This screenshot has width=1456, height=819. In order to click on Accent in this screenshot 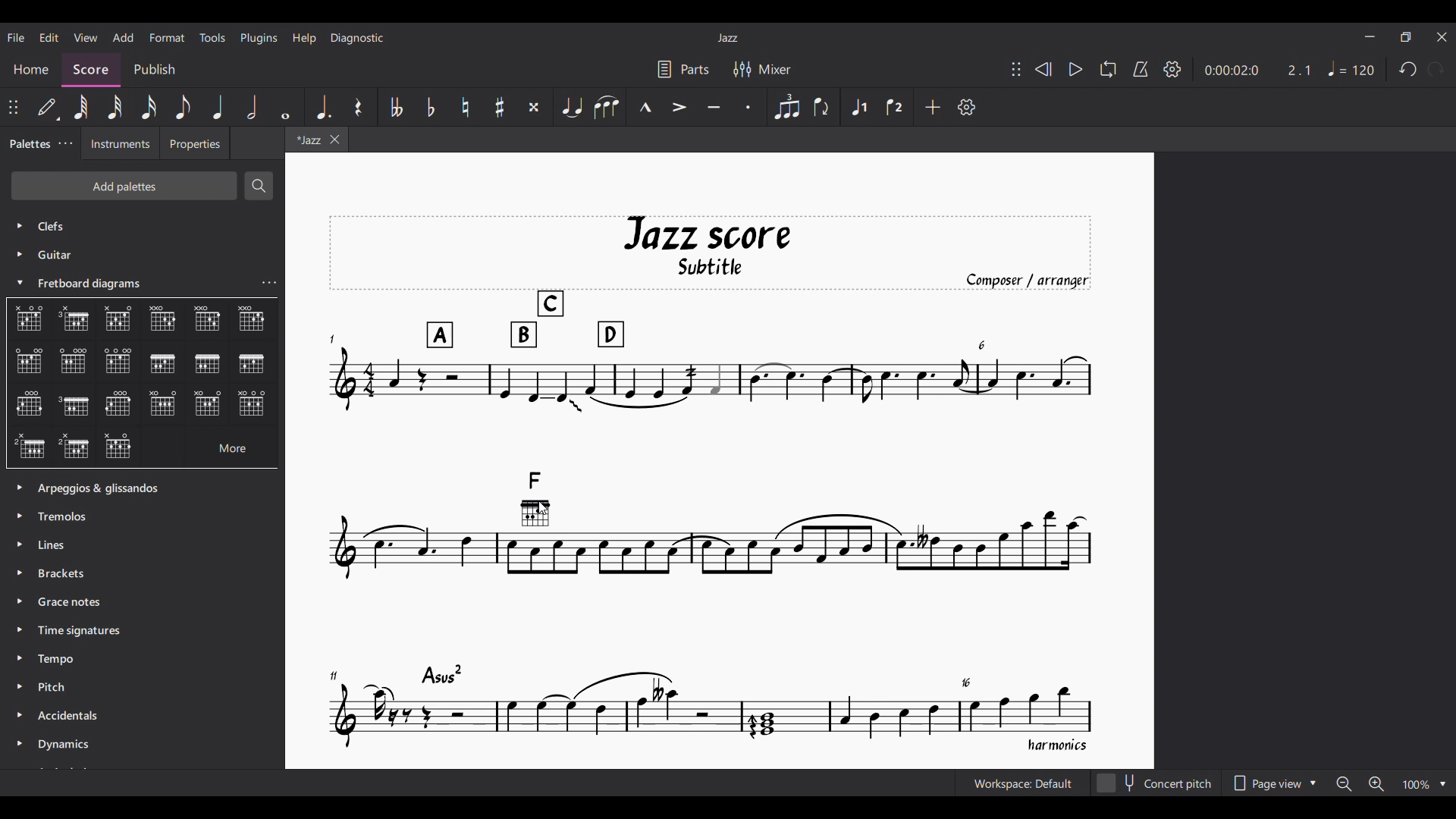, I will do `click(679, 107)`.